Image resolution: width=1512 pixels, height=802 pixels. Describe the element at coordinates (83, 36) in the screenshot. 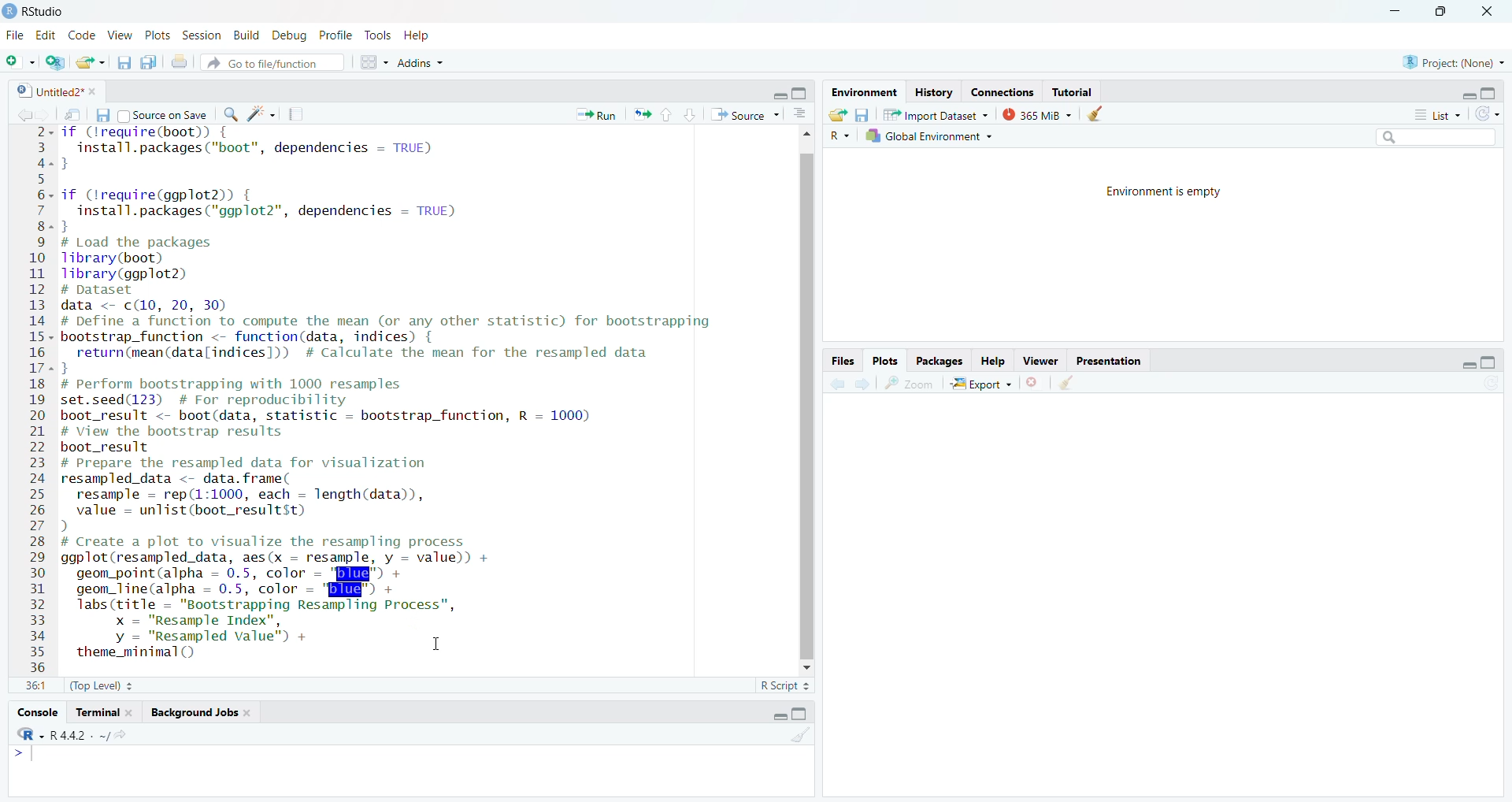

I see `code` at that location.